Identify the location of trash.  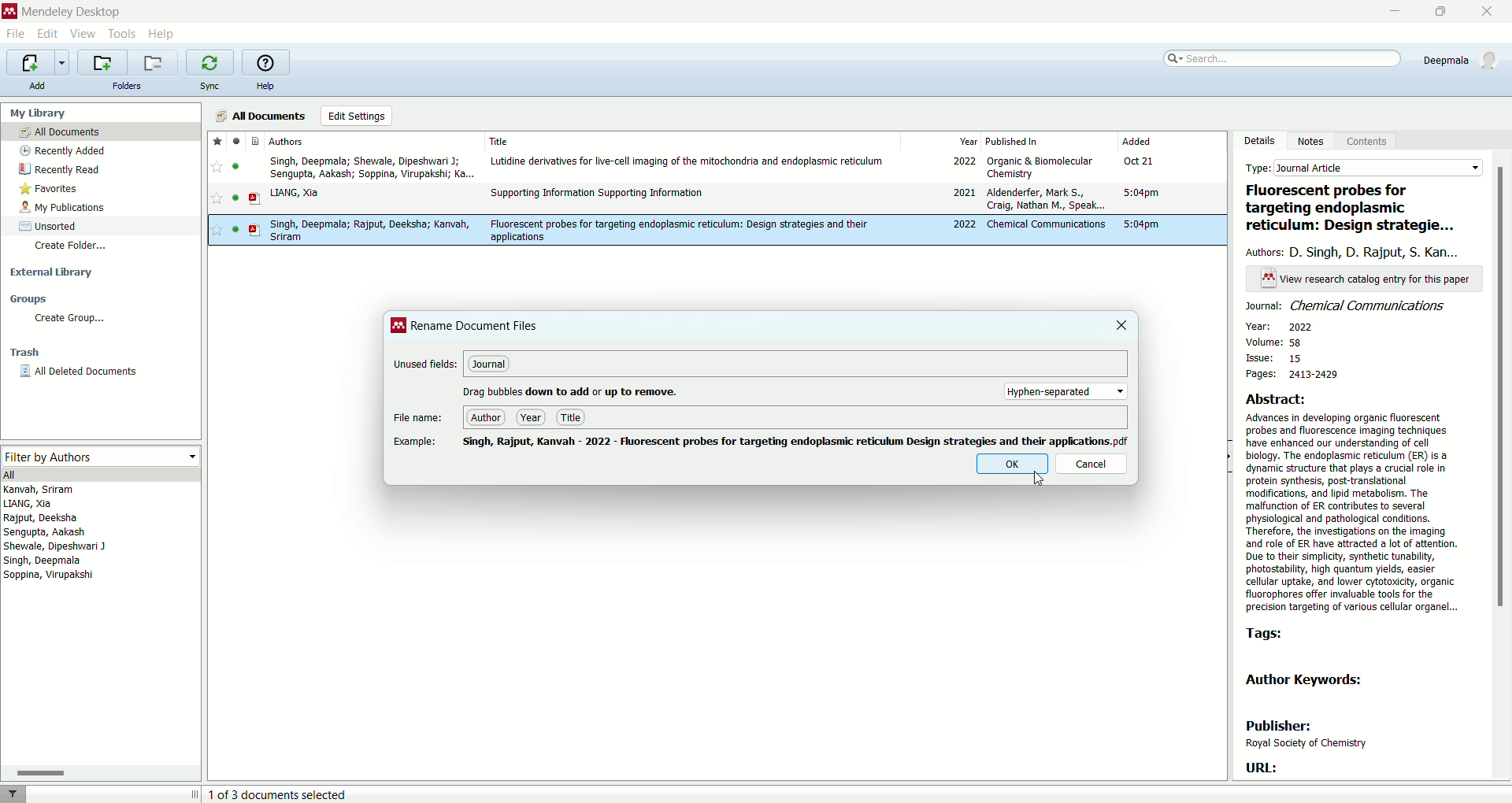
(25, 354).